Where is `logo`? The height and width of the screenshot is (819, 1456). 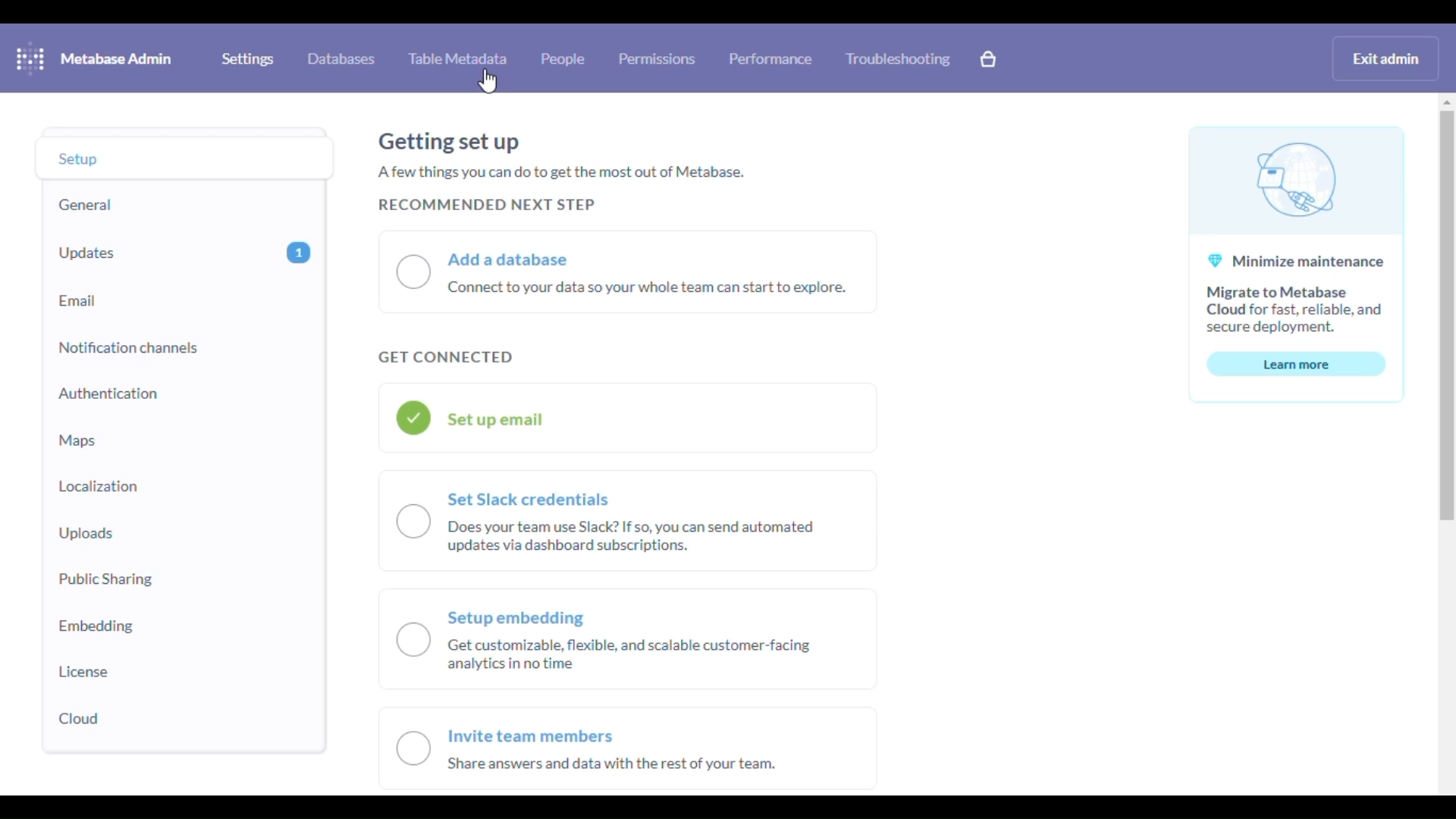 logo is located at coordinates (30, 58).